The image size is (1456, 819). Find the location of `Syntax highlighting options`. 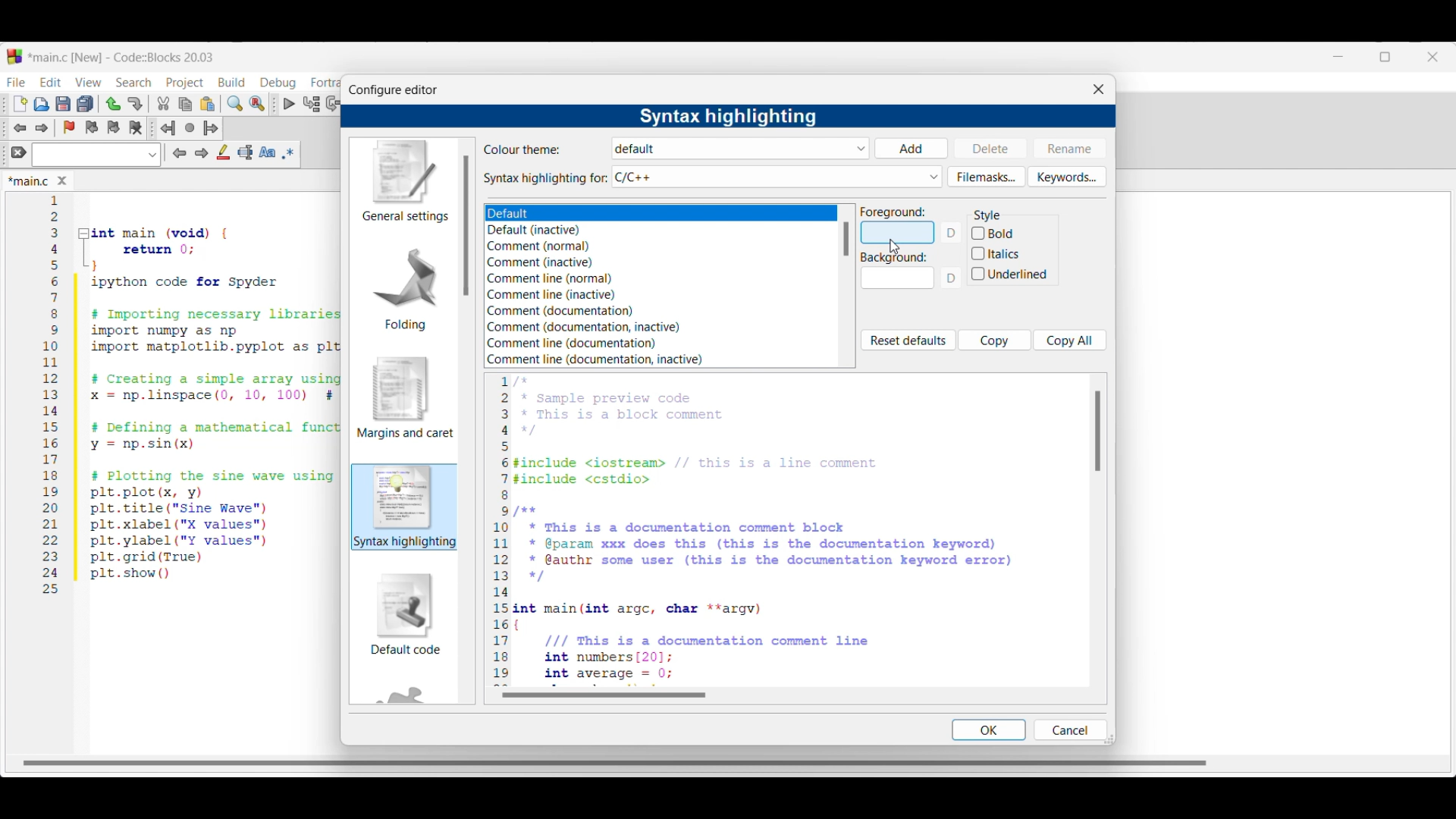

Syntax highlighting options is located at coordinates (777, 177).